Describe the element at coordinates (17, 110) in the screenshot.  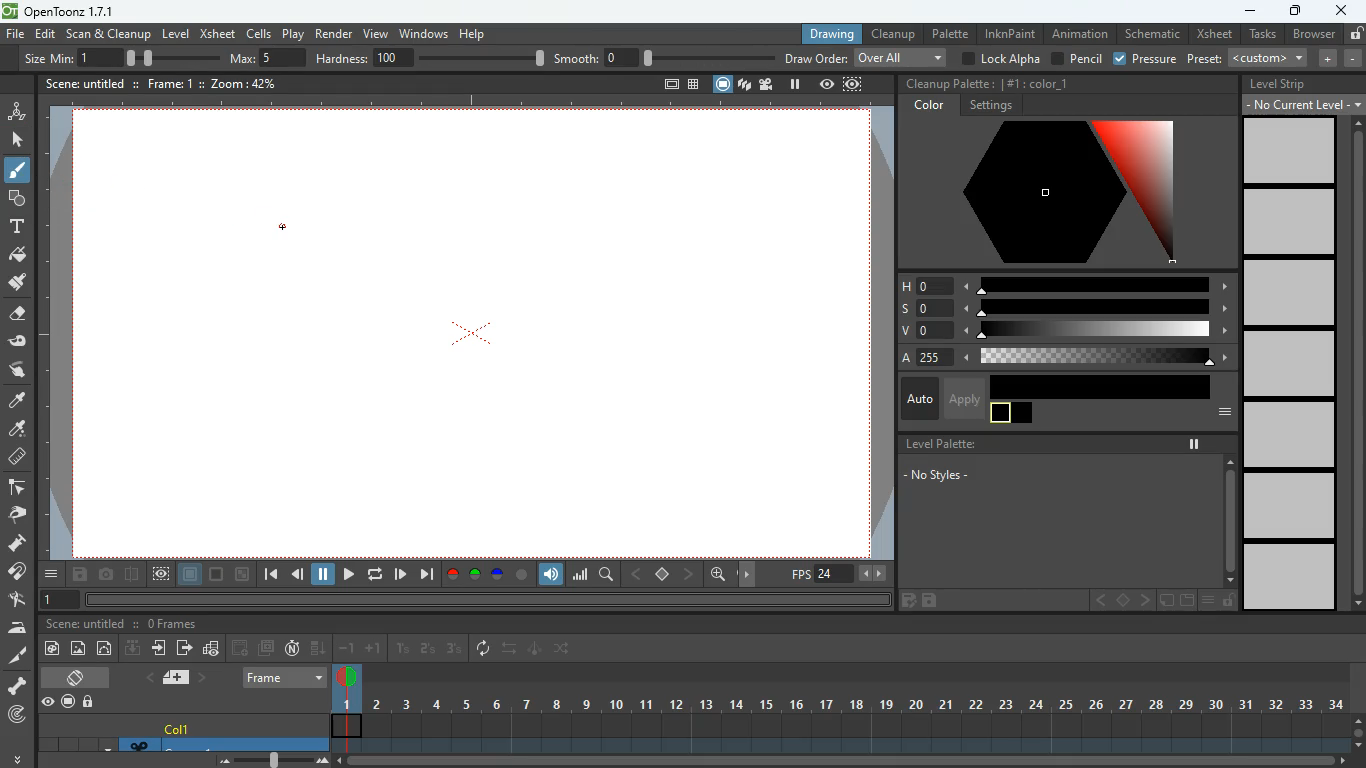
I see `animate` at that location.